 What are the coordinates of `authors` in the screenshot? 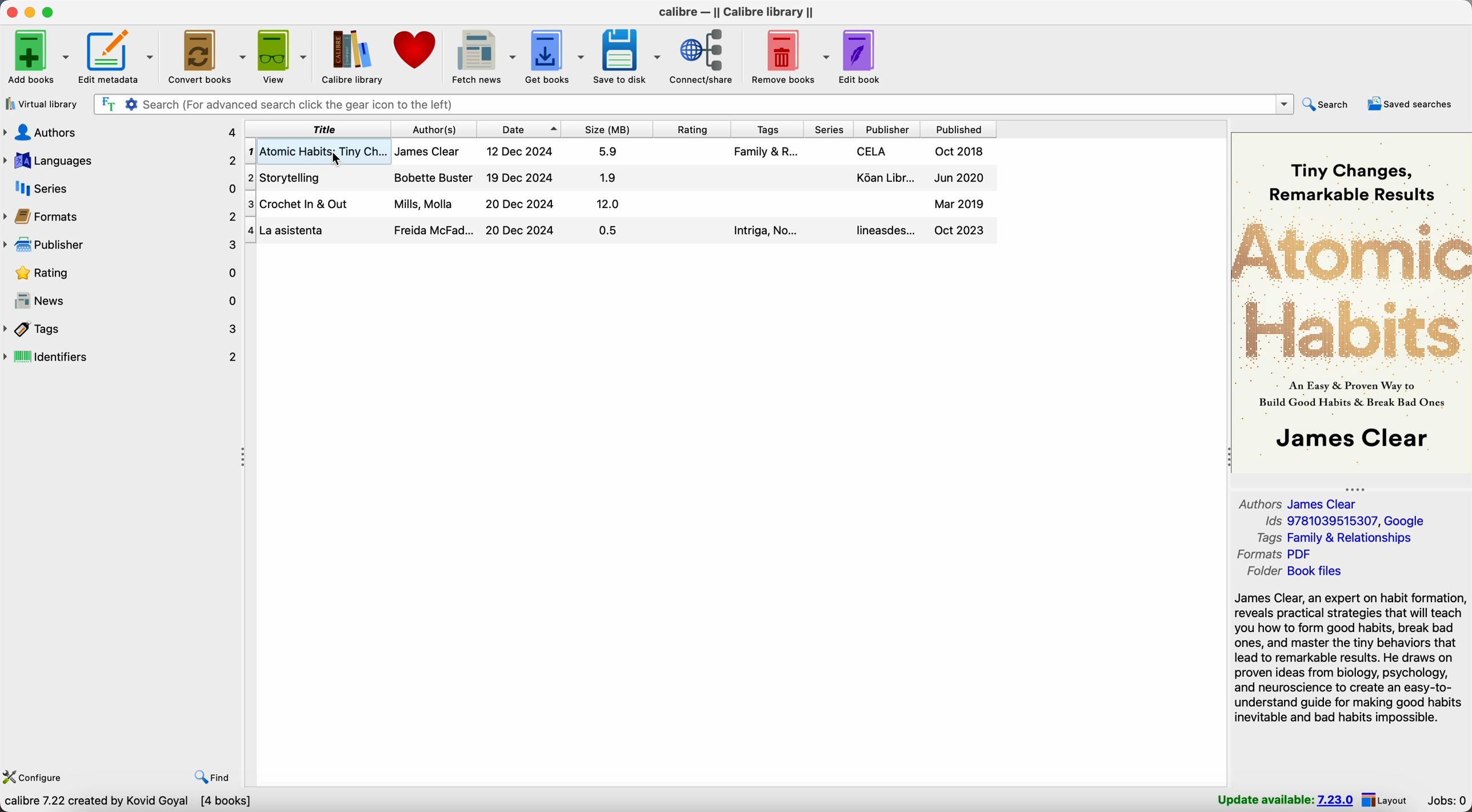 It's located at (1301, 502).